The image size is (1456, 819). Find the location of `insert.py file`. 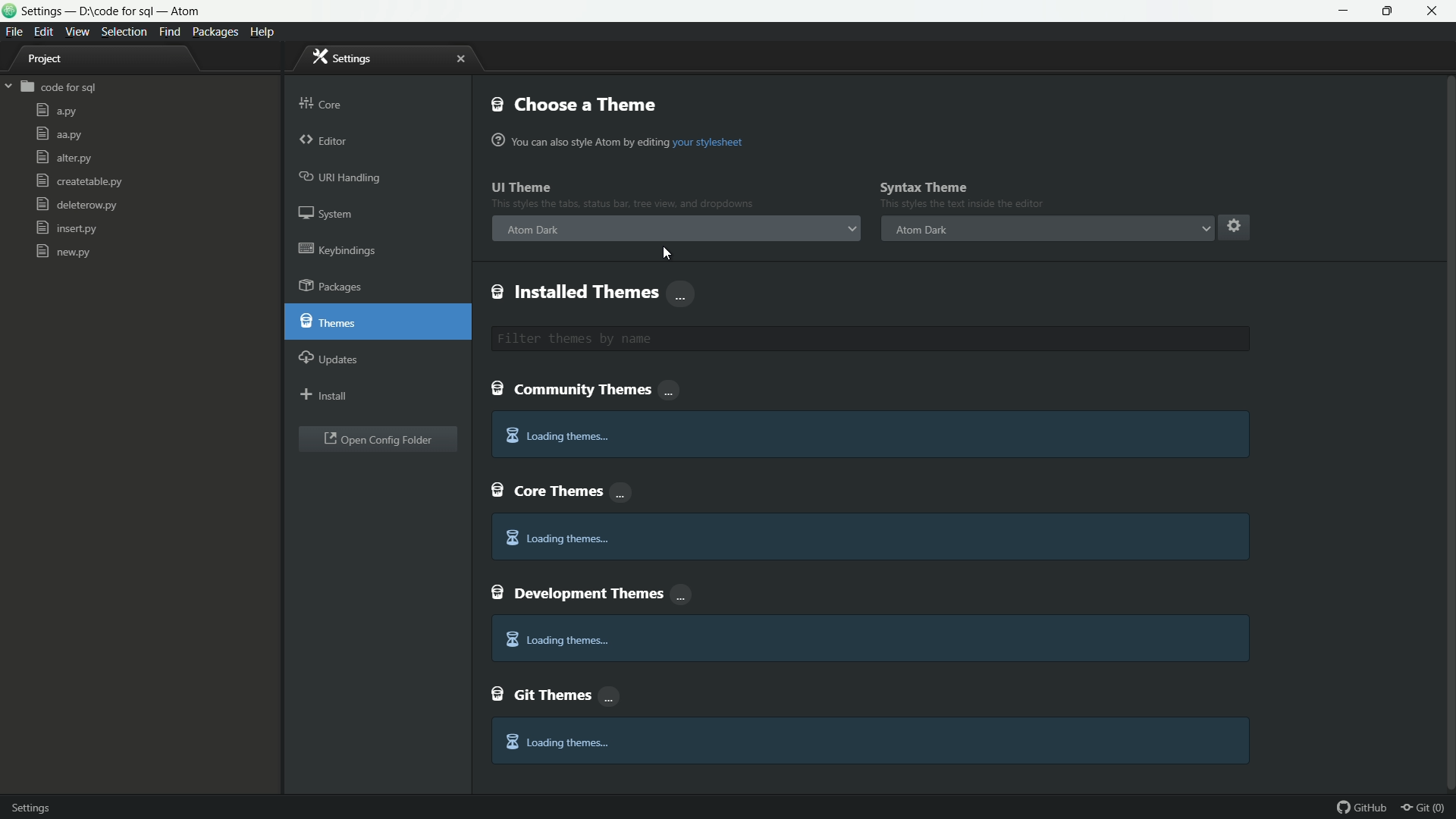

insert.py file is located at coordinates (68, 227).